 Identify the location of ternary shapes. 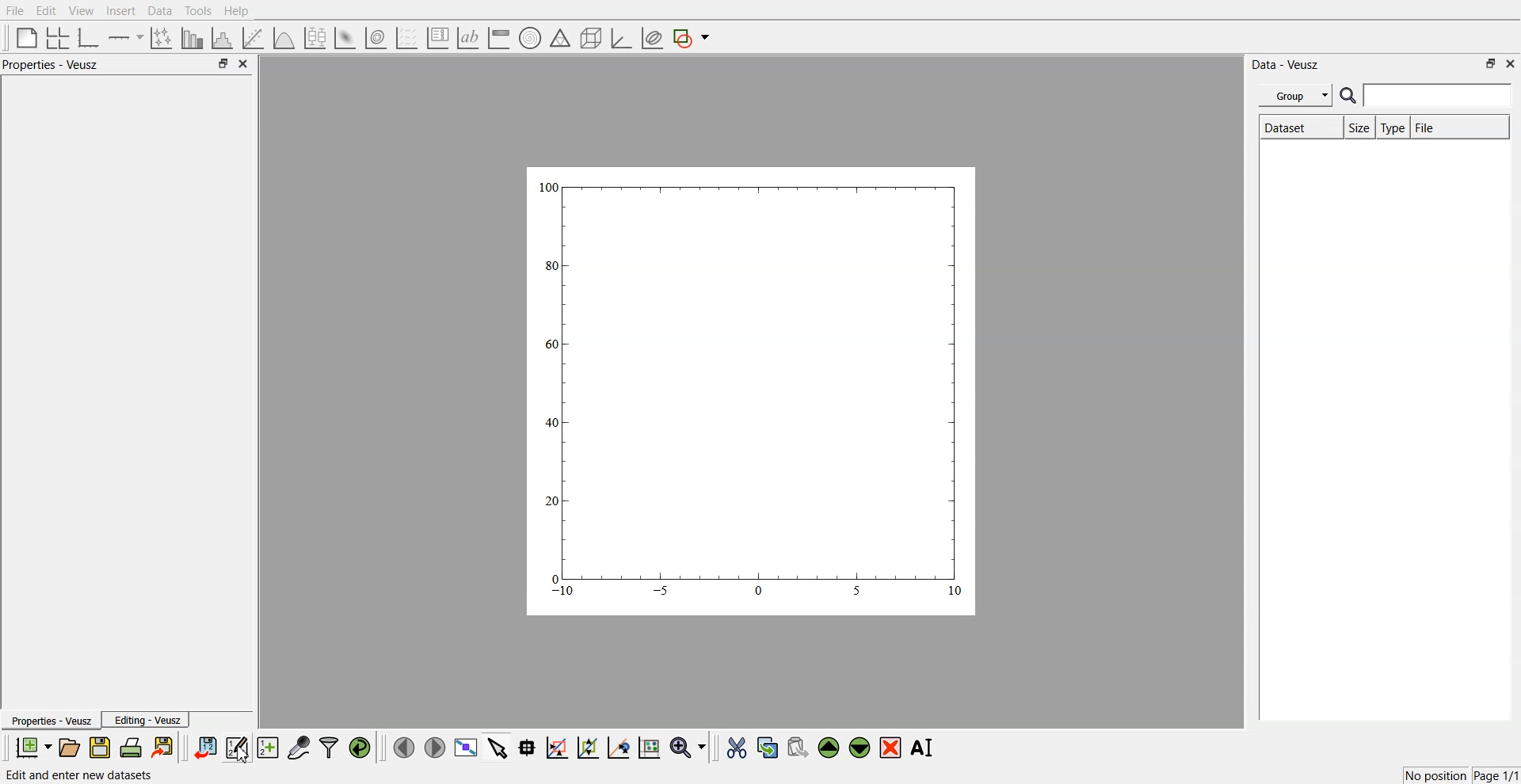
(558, 40).